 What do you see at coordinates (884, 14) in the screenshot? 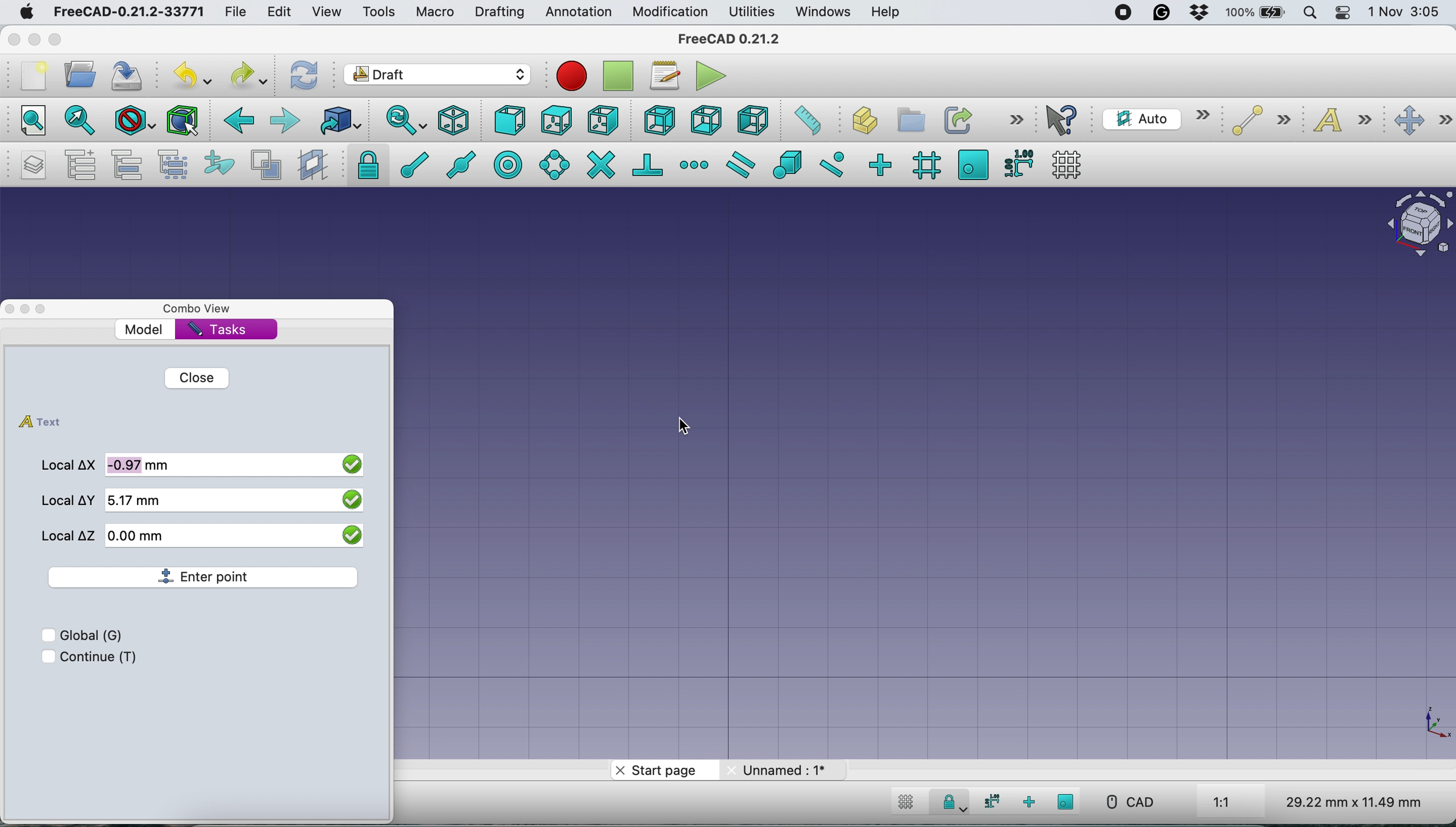
I see `help` at bounding box center [884, 14].